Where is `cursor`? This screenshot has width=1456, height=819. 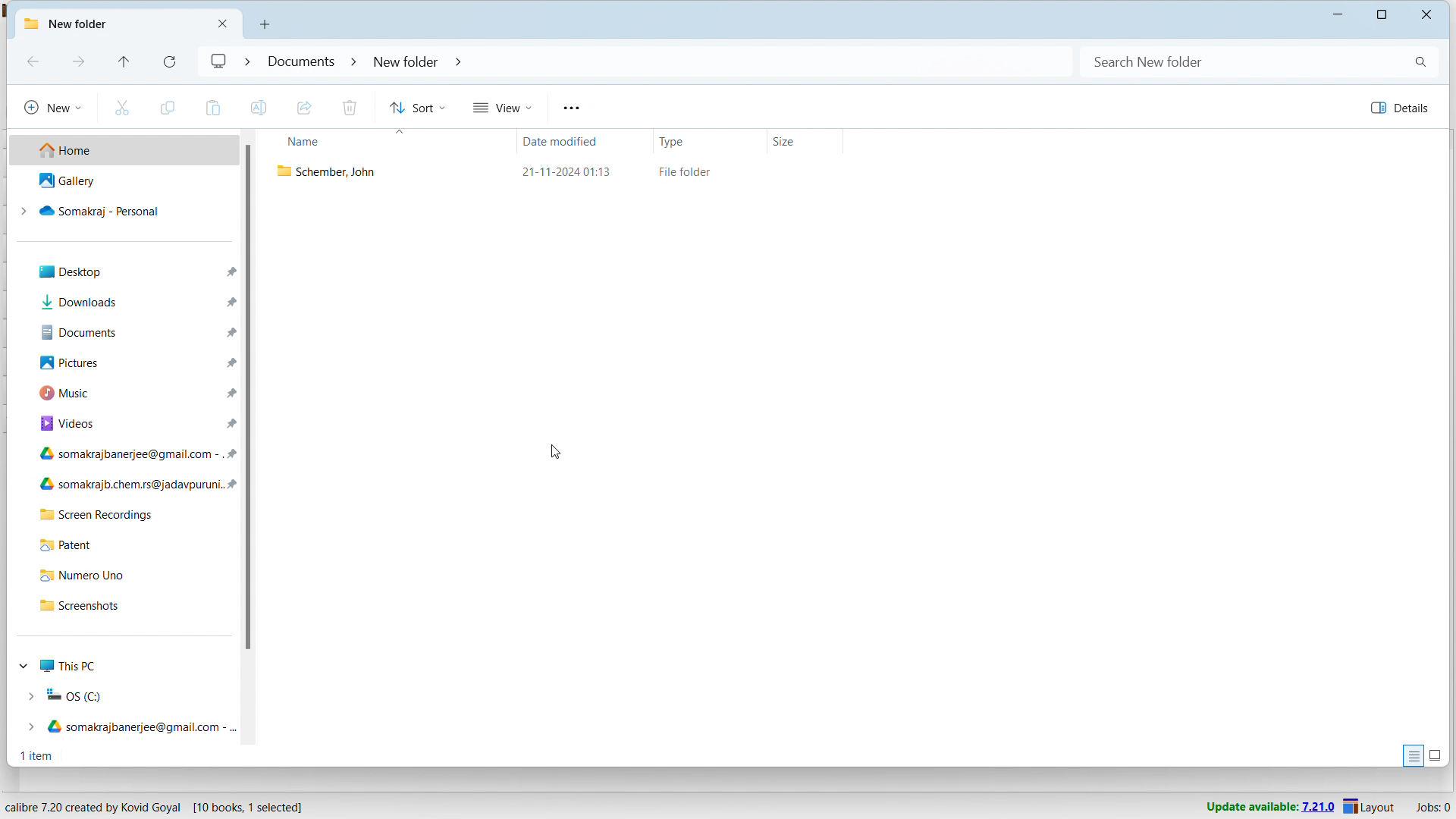
cursor is located at coordinates (556, 447).